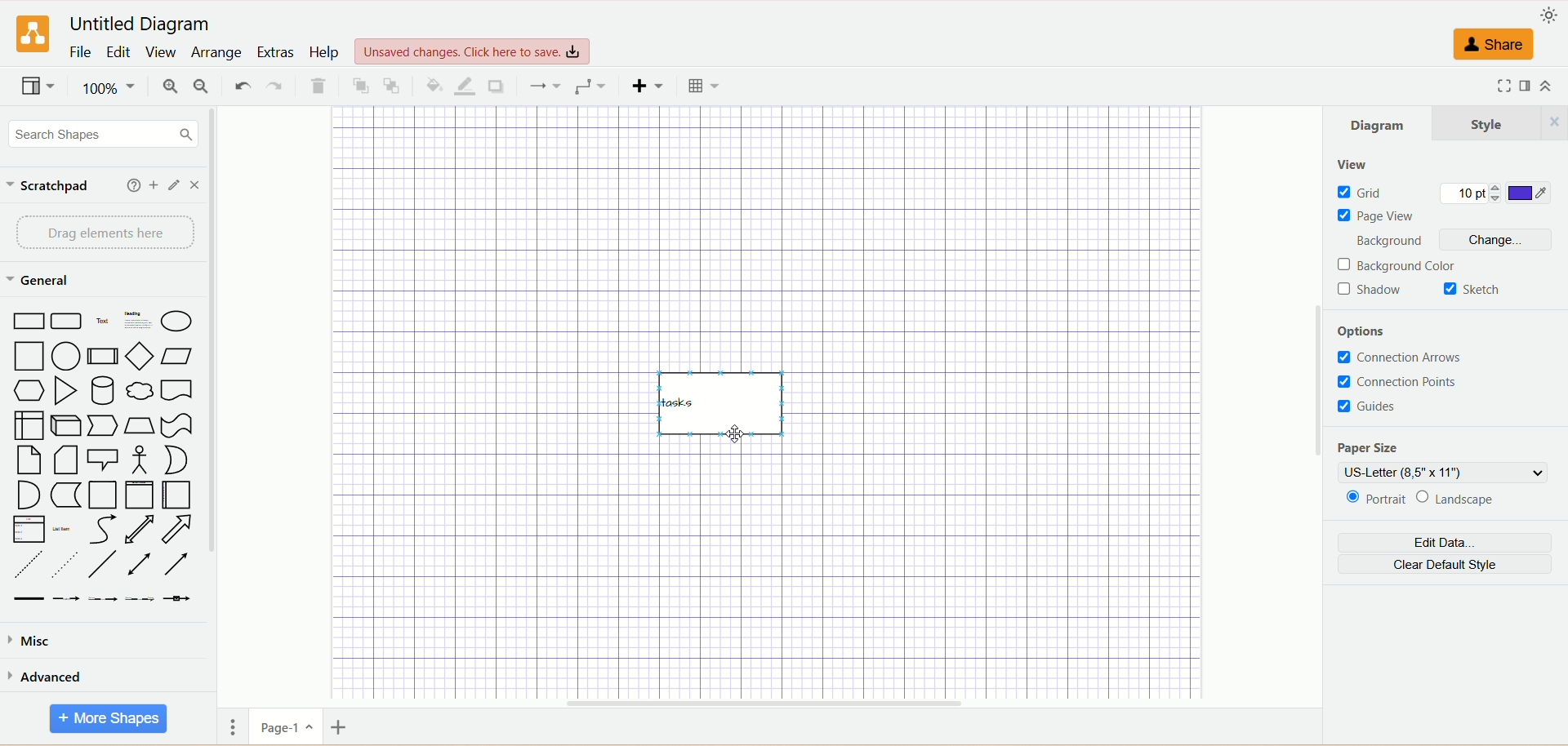 This screenshot has width=1568, height=746. I want to click on Thought Bubble, so click(141, 393).